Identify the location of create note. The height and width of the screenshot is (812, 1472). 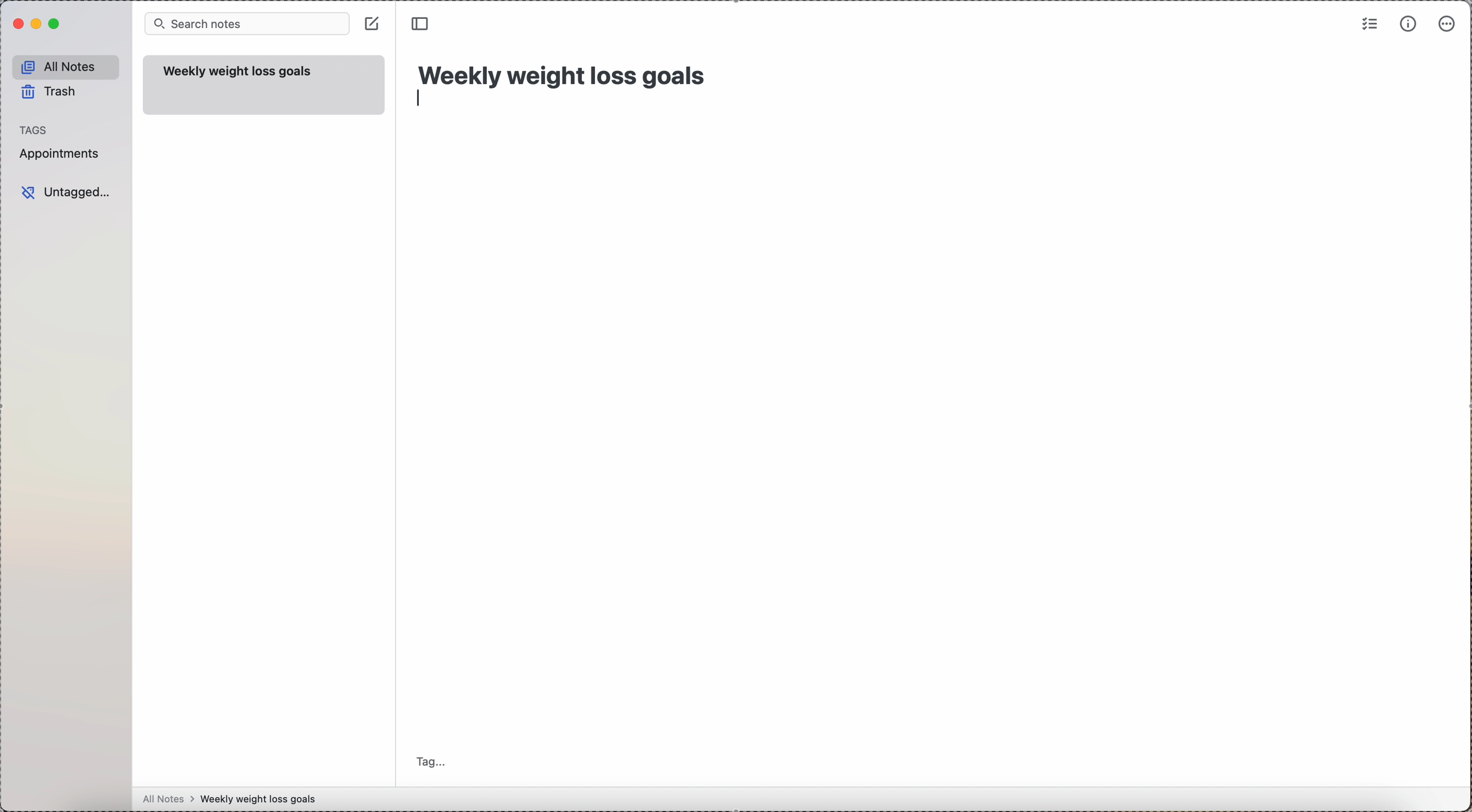
(373, 23).